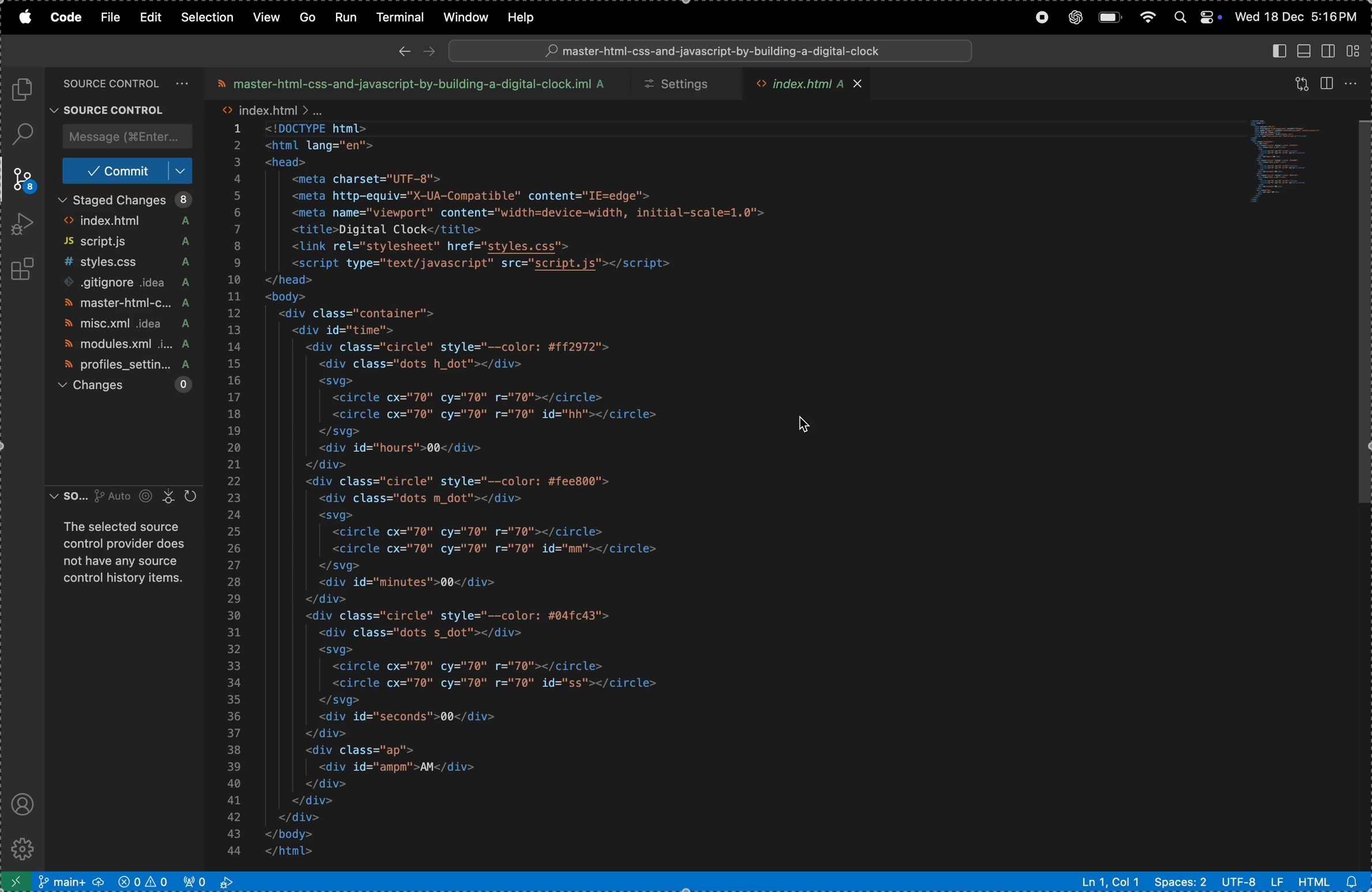  I want to click on Cursor, so click(808, 426).